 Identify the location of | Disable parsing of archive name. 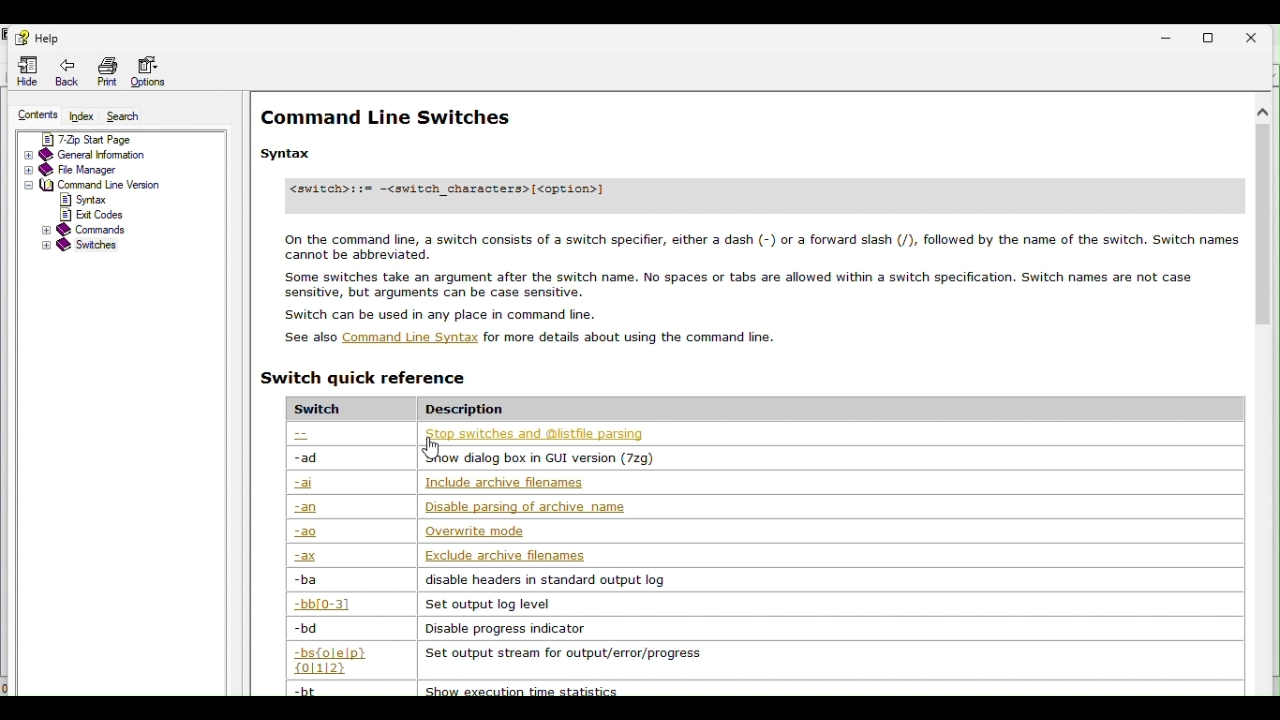
(528, 509).